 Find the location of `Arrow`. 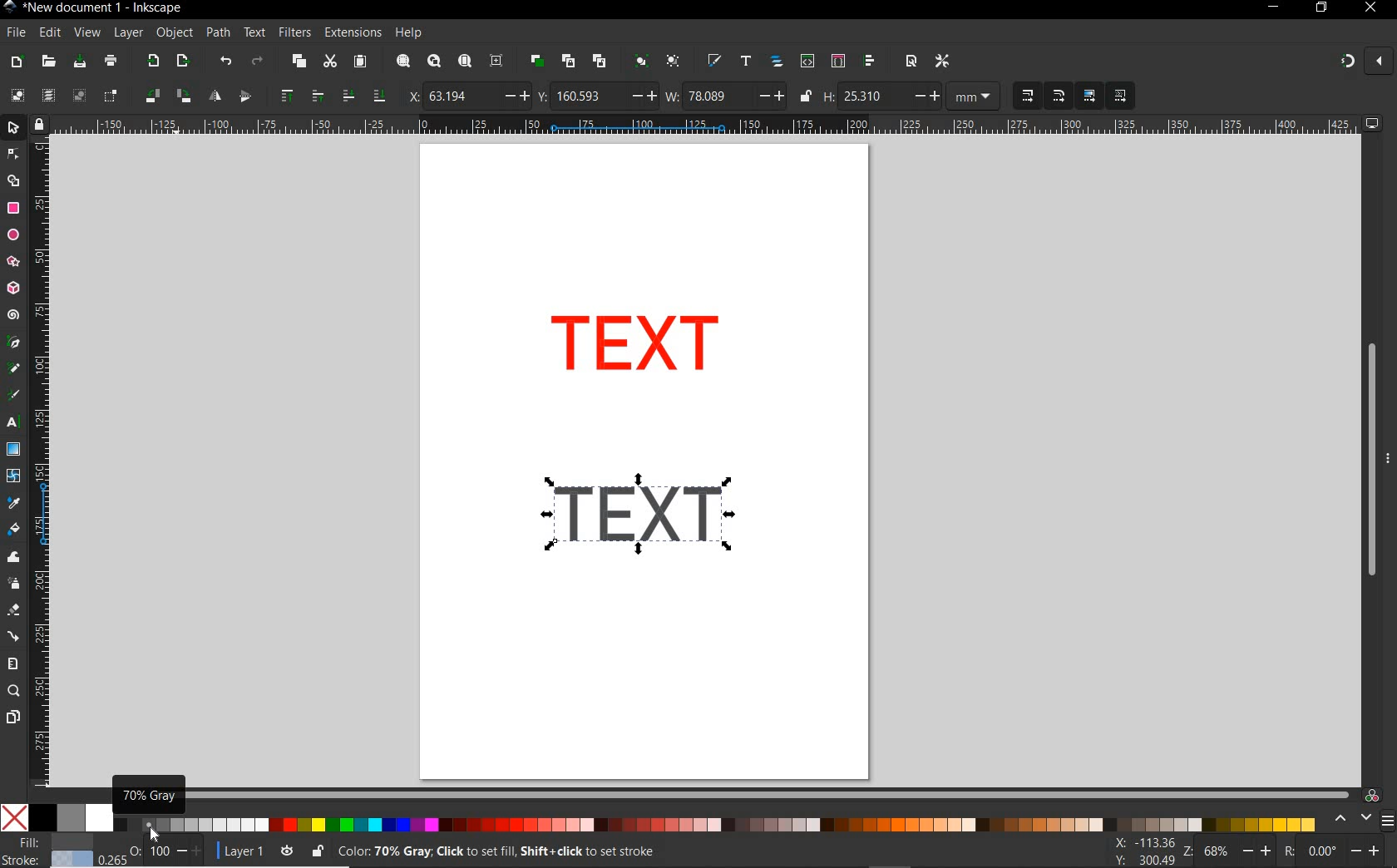

Arrow is located at coordinates (15, 167).